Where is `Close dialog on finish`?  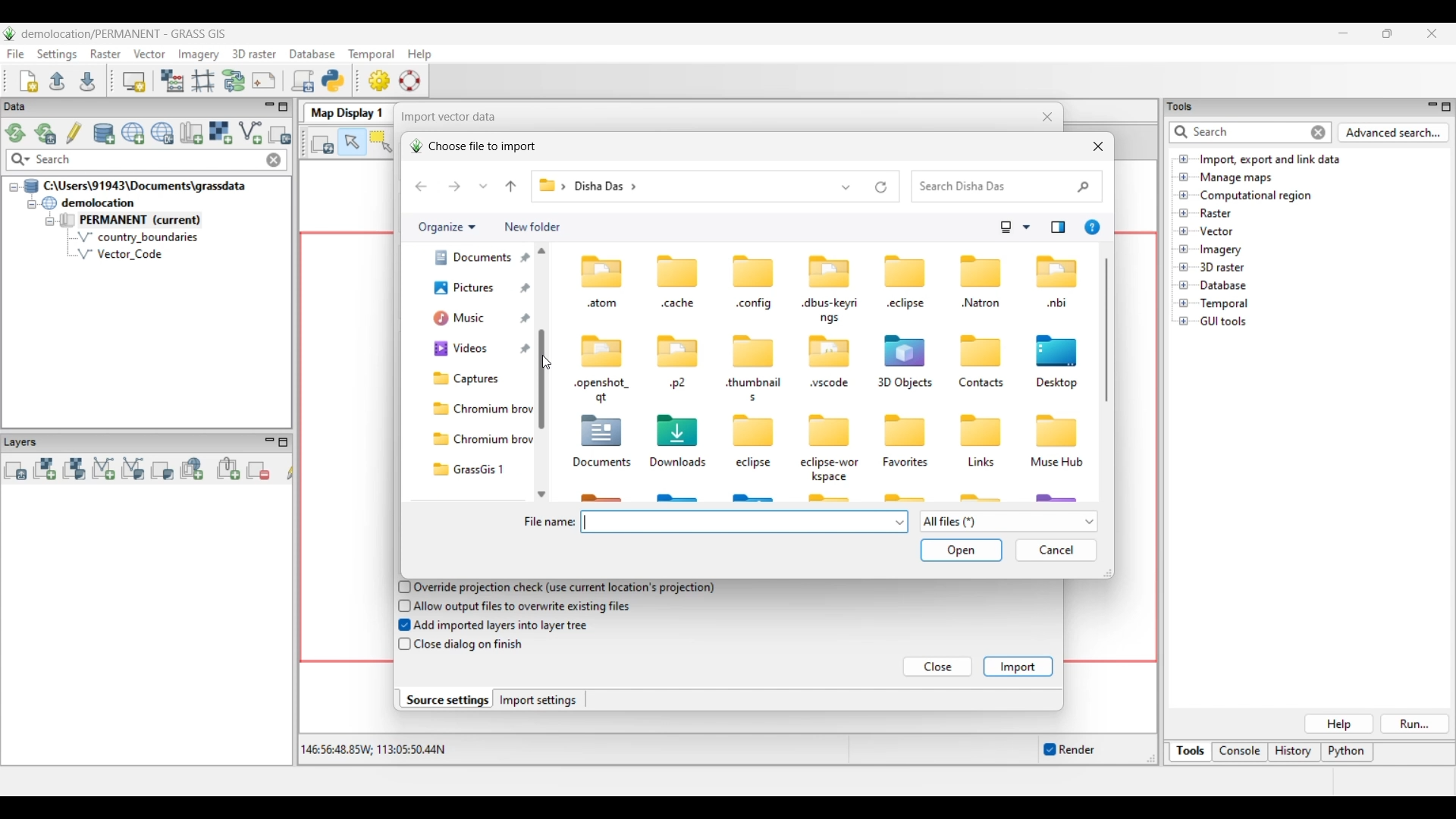 Close dialog on finish is located at coordinates (470, 645).